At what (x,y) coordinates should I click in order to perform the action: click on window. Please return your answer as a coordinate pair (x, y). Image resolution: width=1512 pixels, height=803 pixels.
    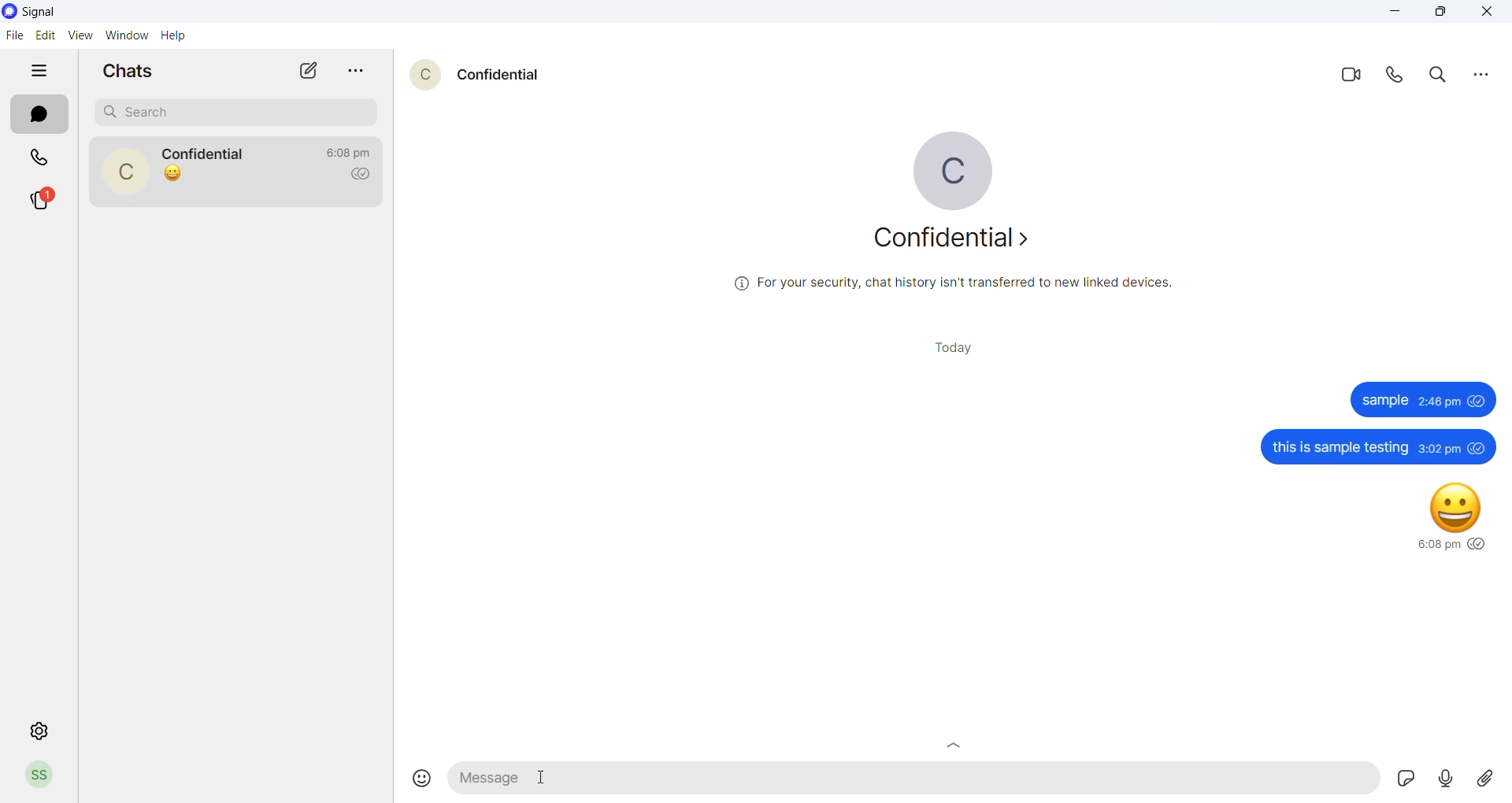
    Looking at the image, I should click on (129, 35).